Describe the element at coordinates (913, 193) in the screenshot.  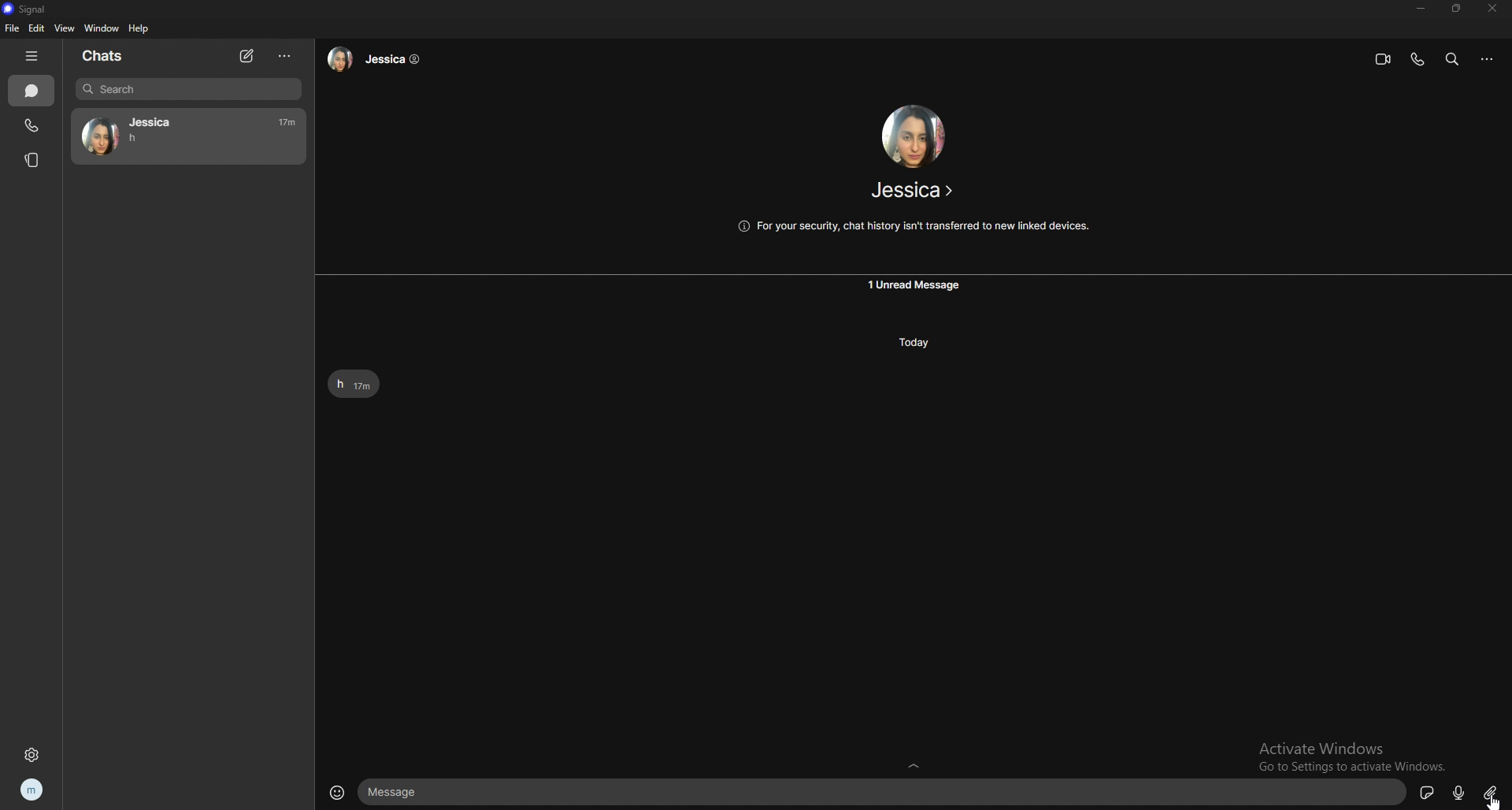
I see `Jessica >` at that location.